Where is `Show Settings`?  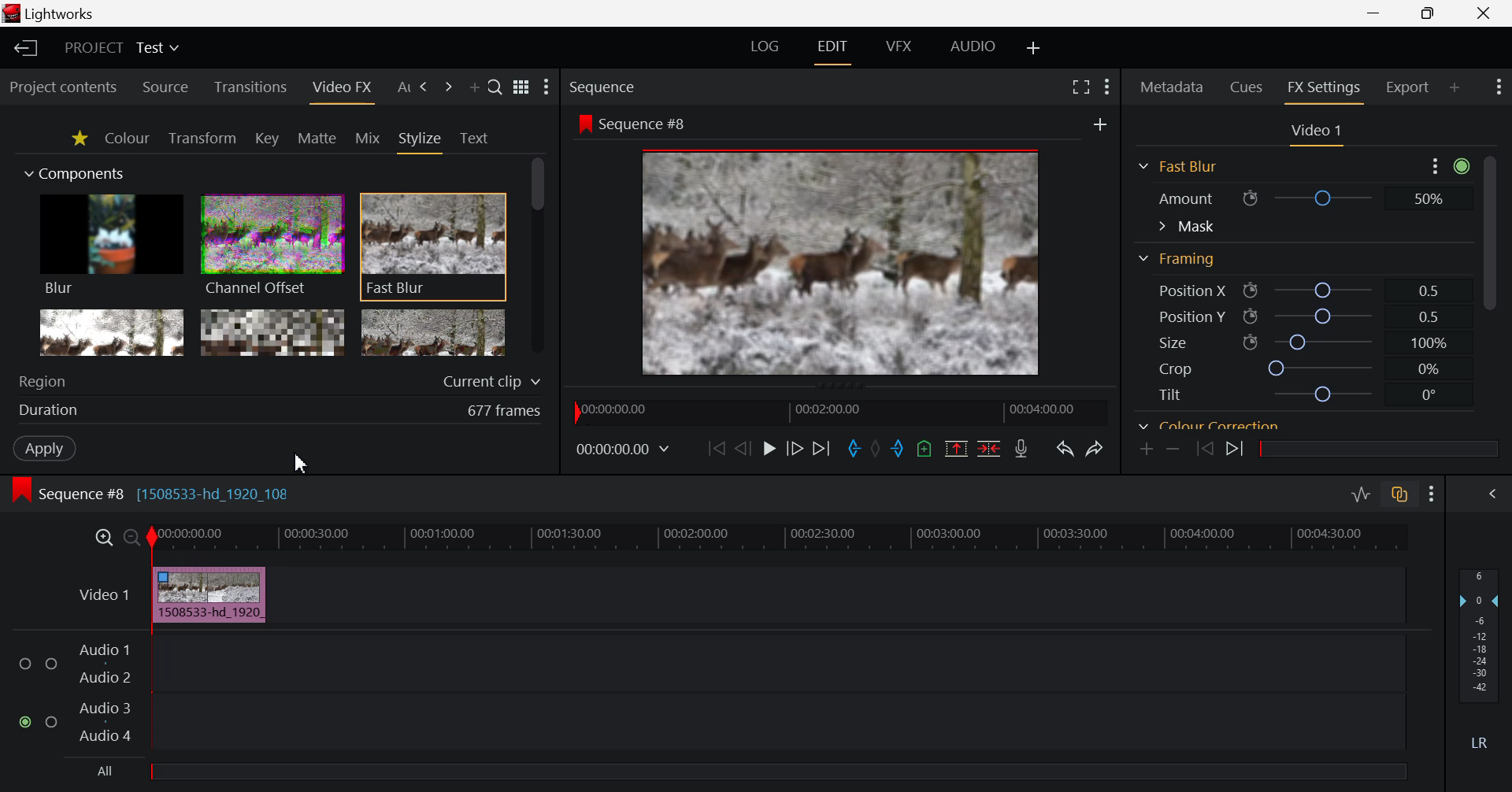
Show Settings is located at coordinates (1432, 494).